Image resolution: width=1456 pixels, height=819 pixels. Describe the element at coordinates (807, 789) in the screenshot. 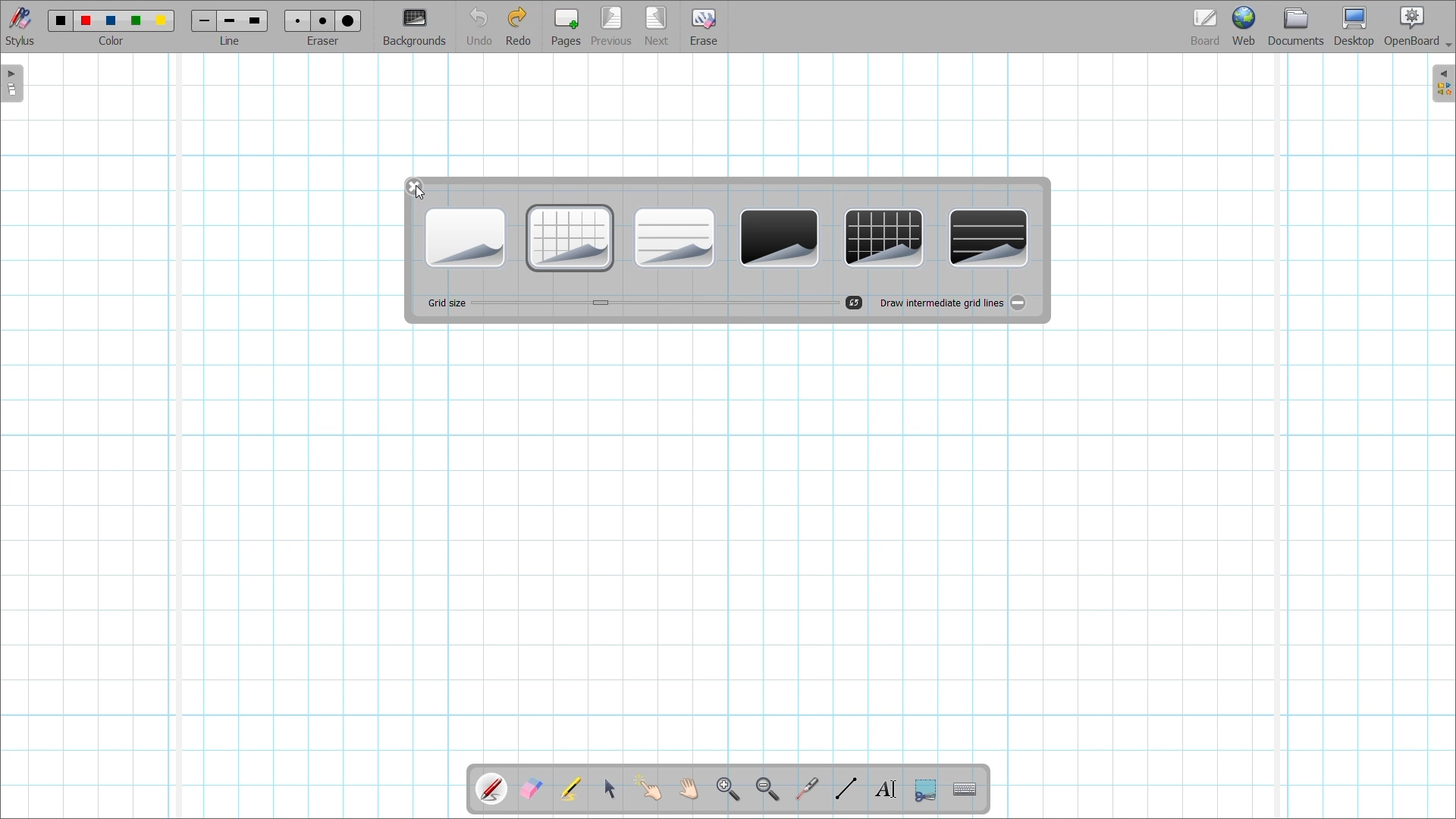

I see `Virtual laser pointer` at that location.